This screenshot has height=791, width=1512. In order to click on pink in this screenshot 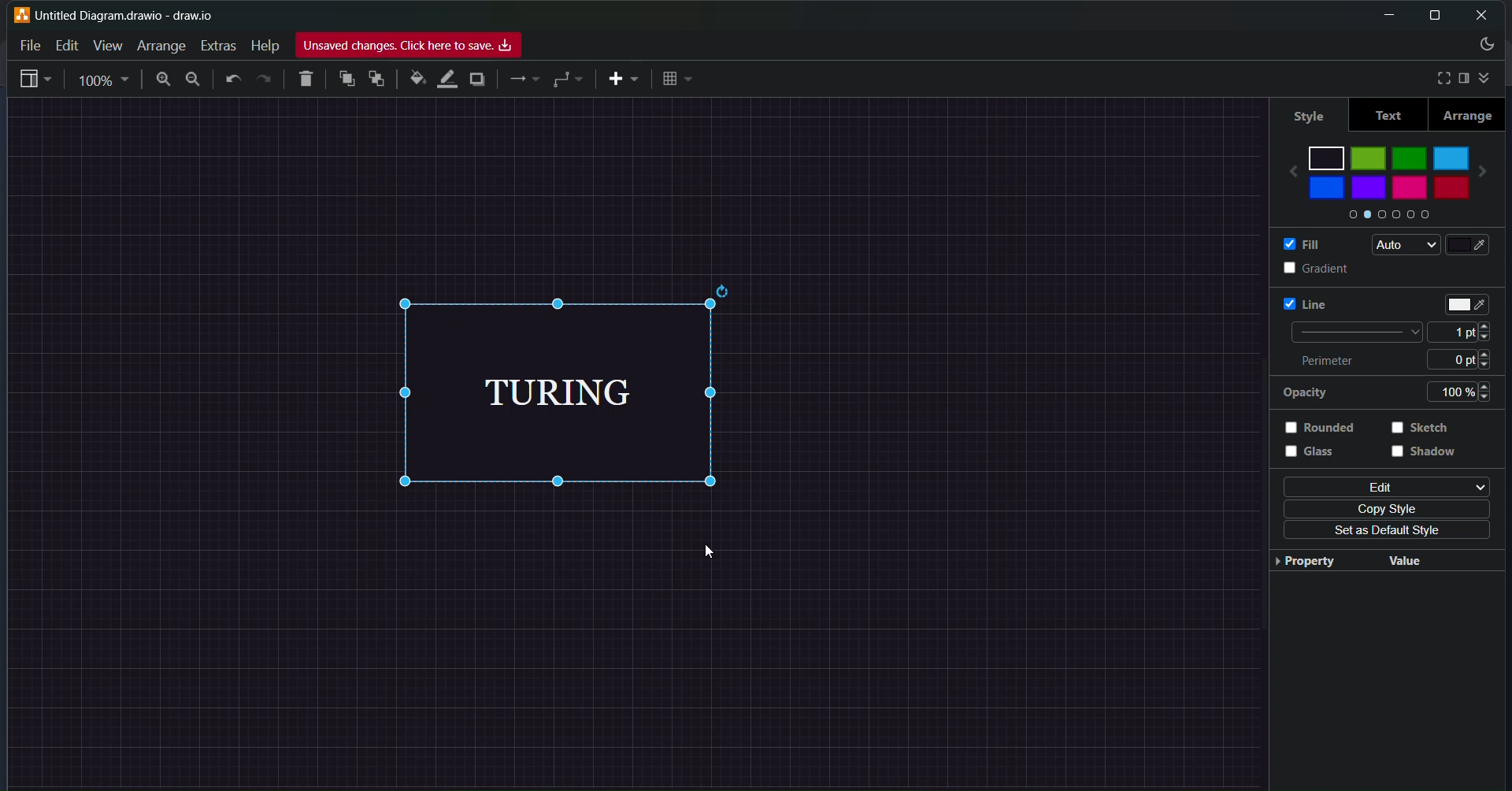, I will do `click(1409, 192)`.